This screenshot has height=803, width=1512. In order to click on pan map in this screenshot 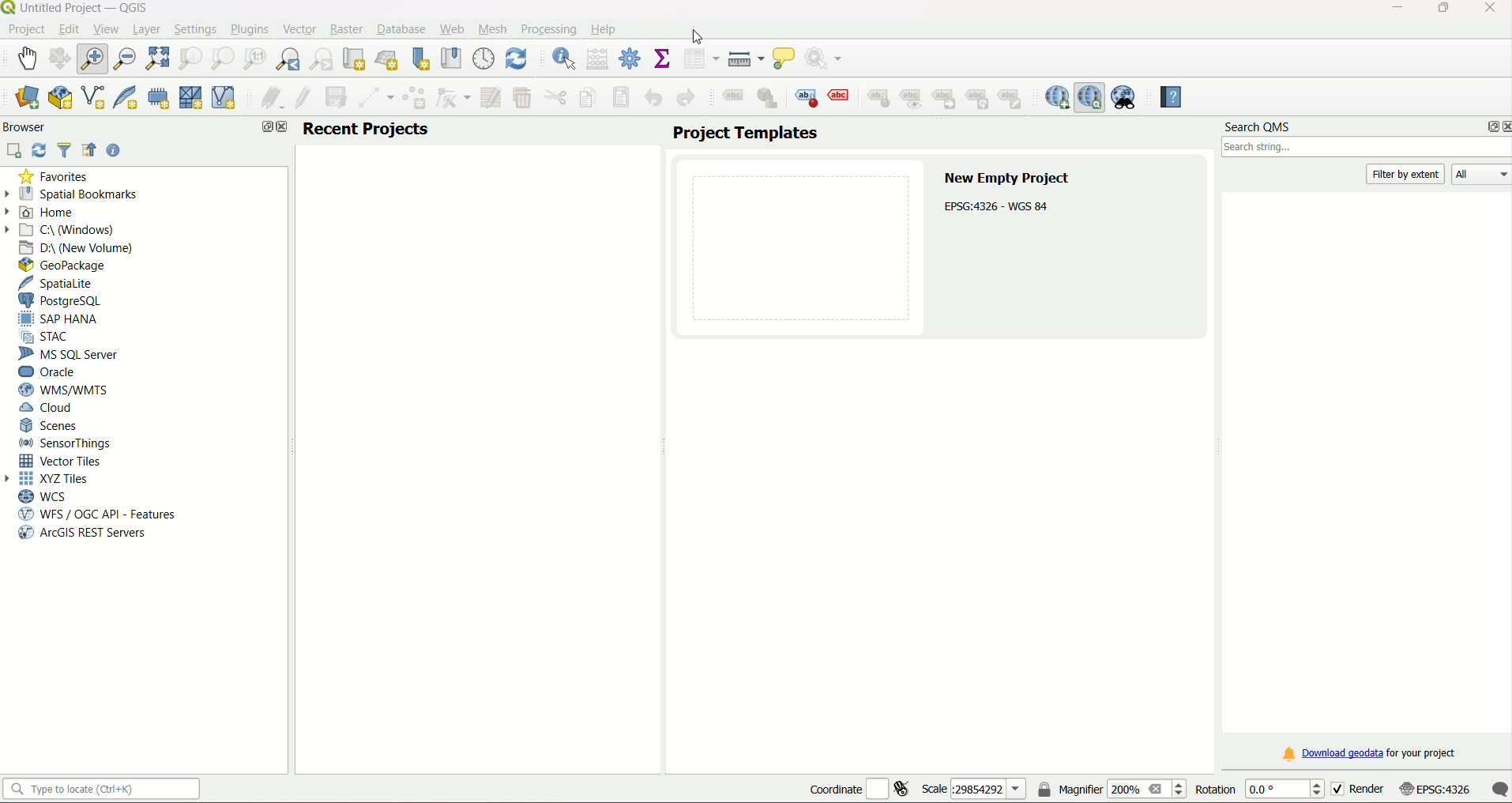, I will do `click(28, 56)`.